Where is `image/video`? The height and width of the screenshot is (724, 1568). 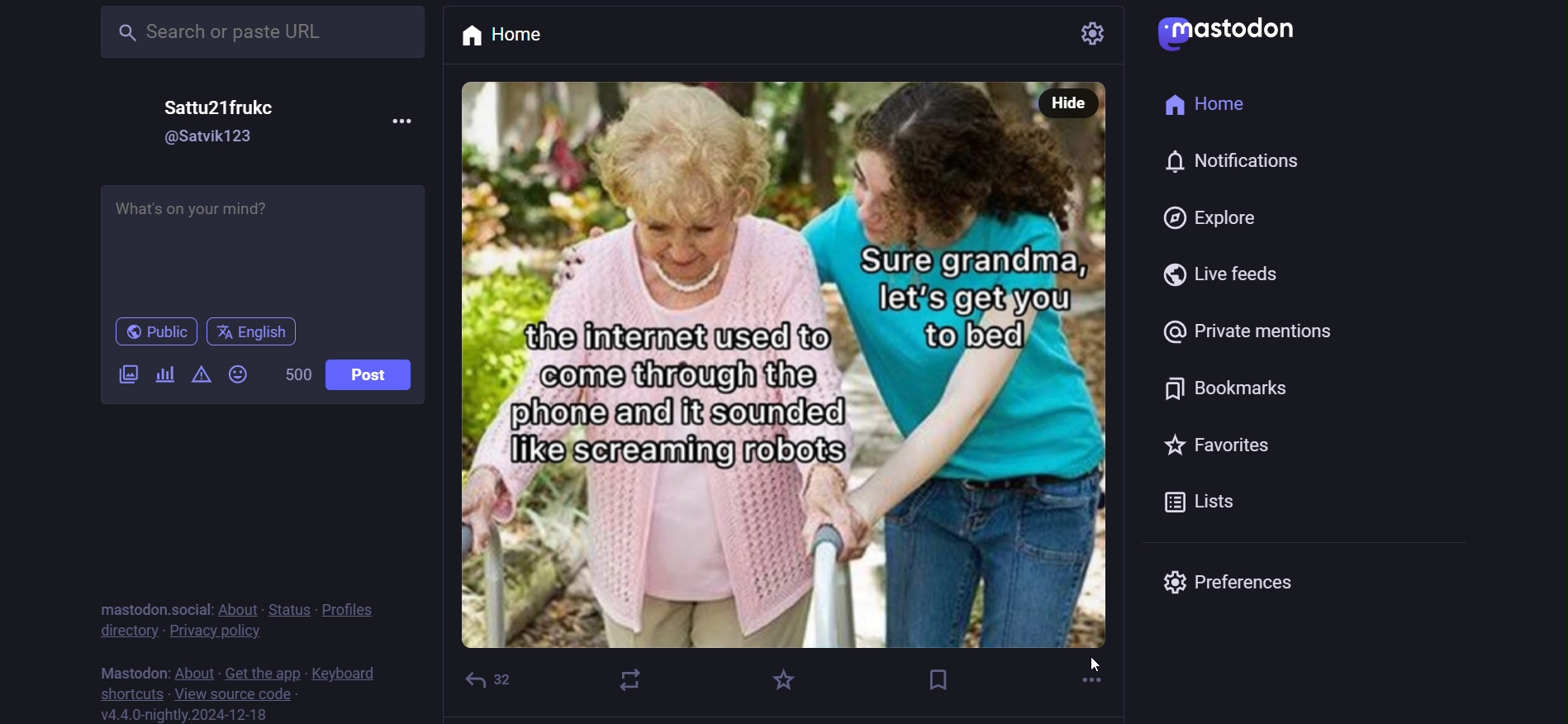 image/video is located at coordinates (123, 373).